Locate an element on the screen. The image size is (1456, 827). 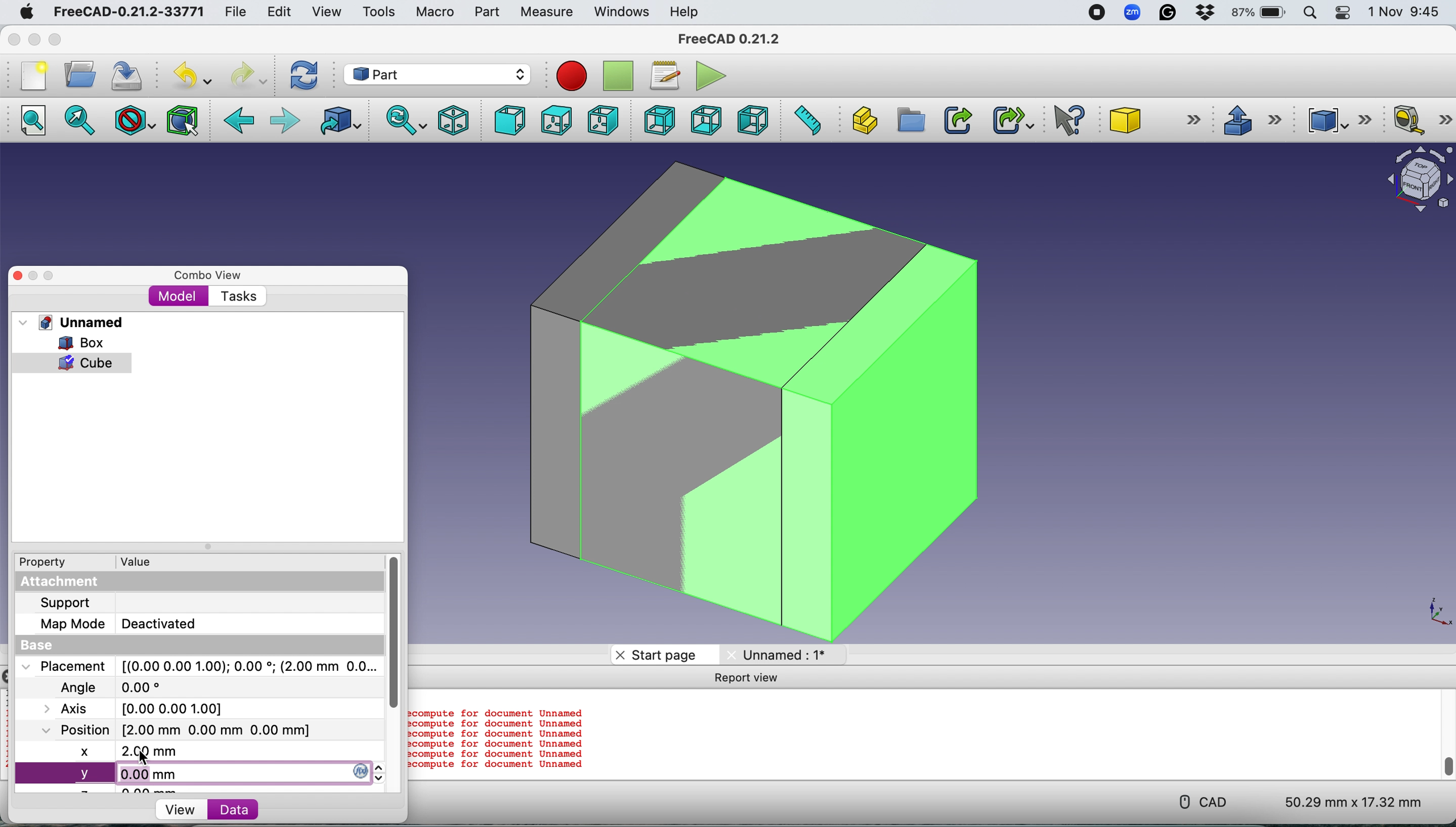
vertical scroll bar is located at coordinates (1443, 733).